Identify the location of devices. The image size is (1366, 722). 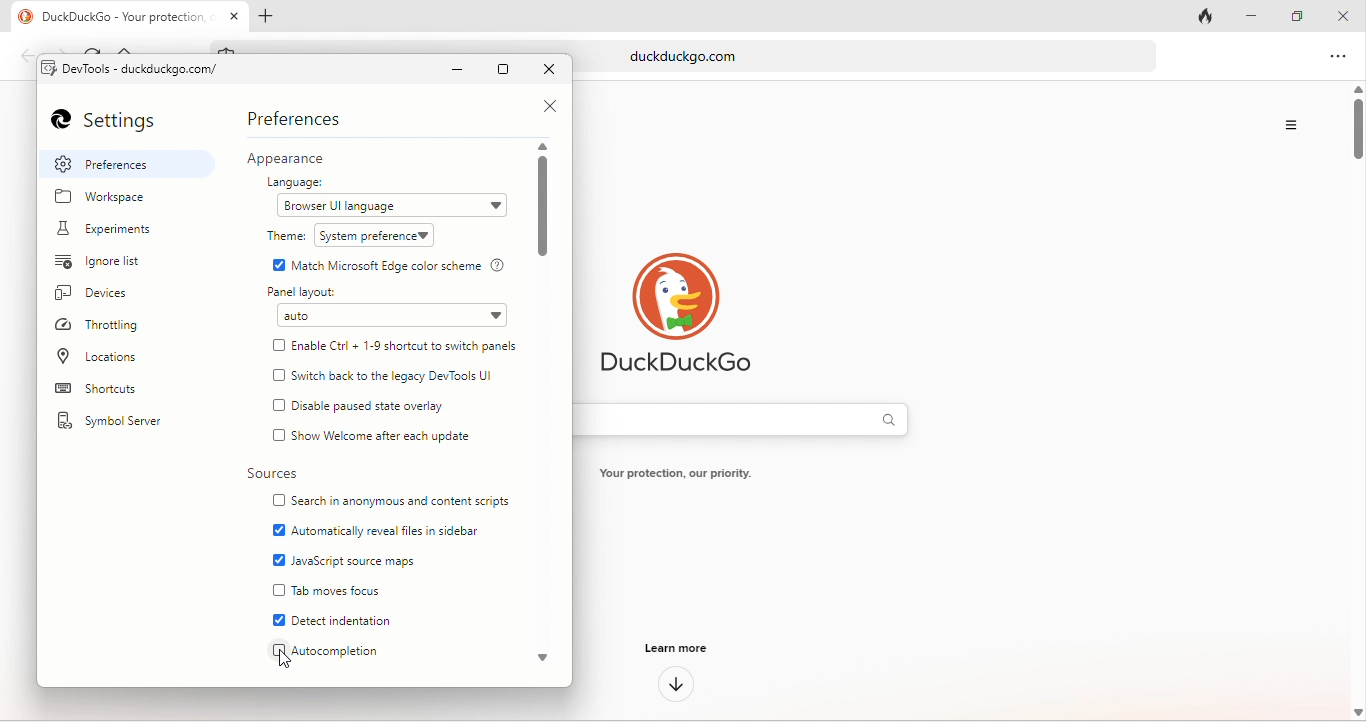
(107, 296).